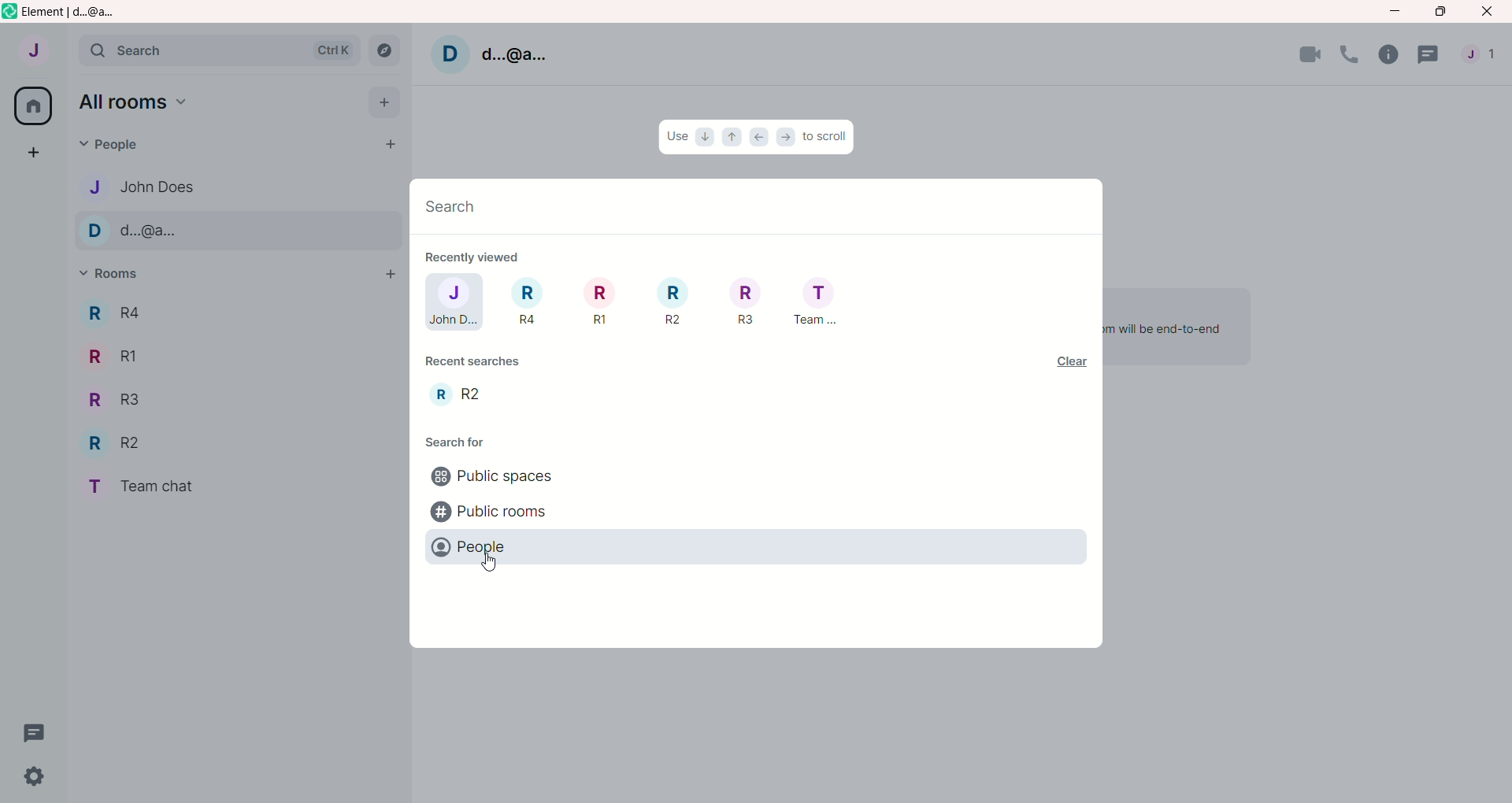  Describe the element at coordinates (78, 13) in the screenshot. I see `element` at that location.